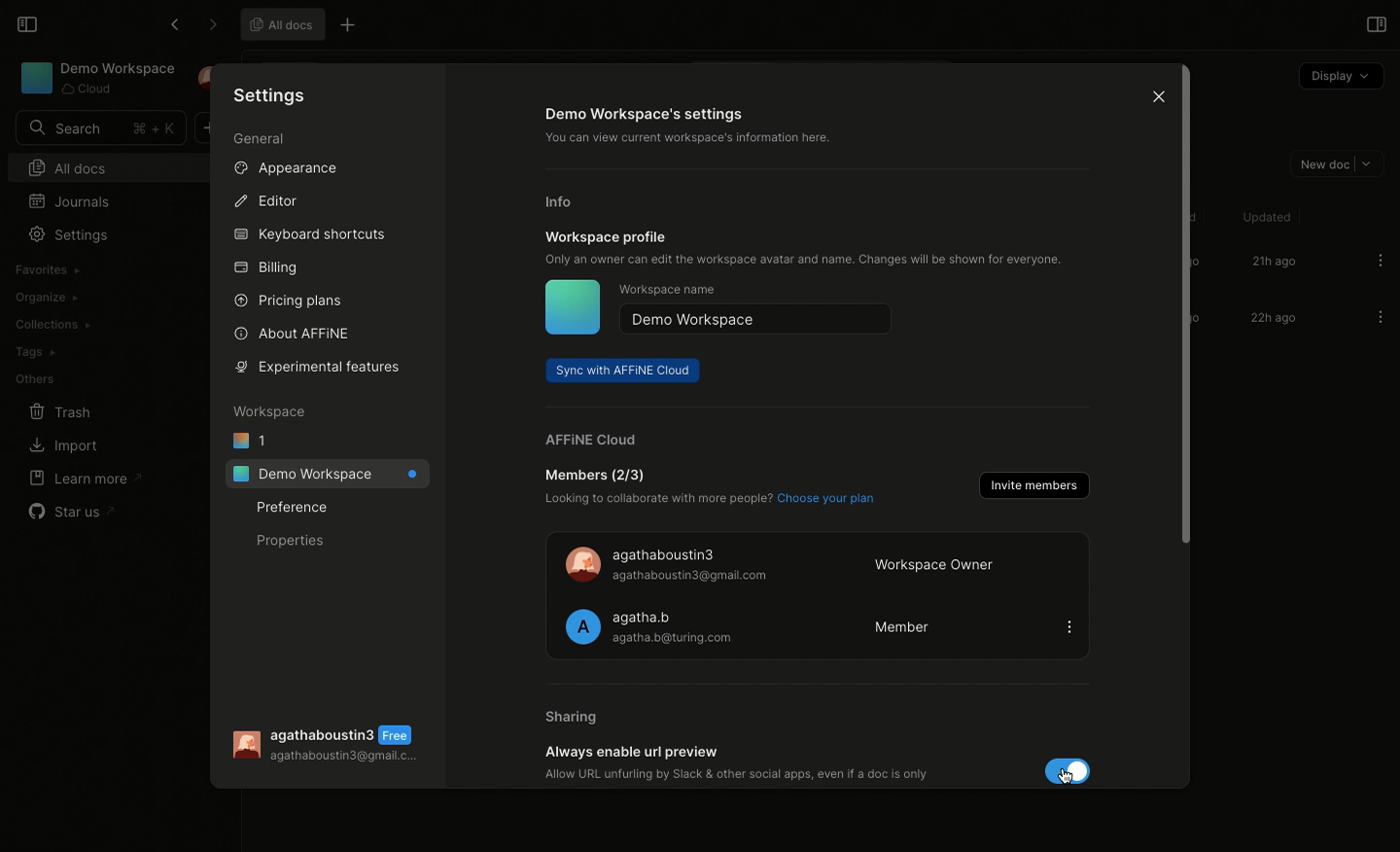 The image size is (1400, 852). What do you see at coordinates (266, 270) in the screenshot?
I see `Billing` at bounding box center [266, 270].